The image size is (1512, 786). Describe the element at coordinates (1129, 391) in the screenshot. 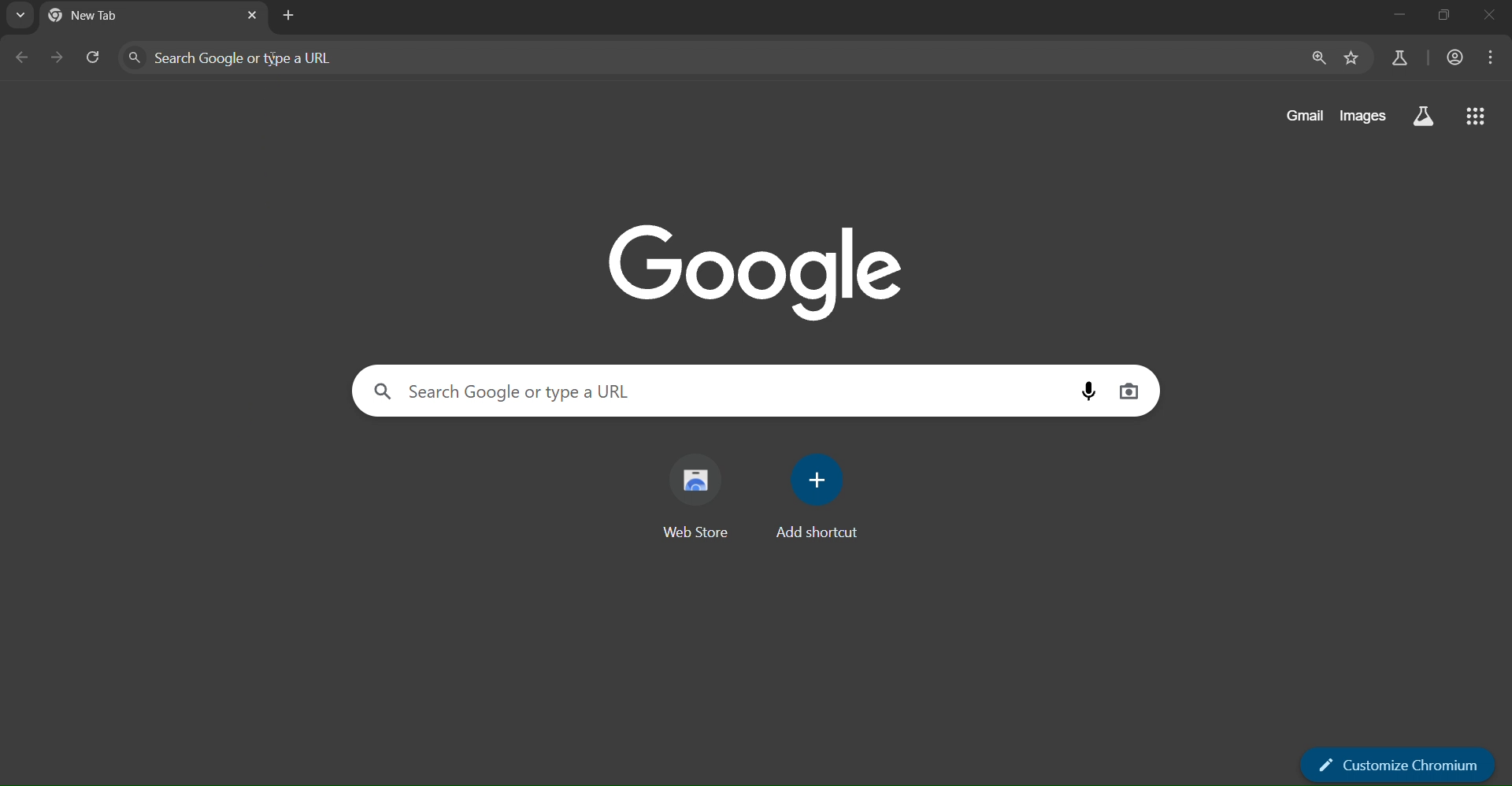

I see `image search` at that location.